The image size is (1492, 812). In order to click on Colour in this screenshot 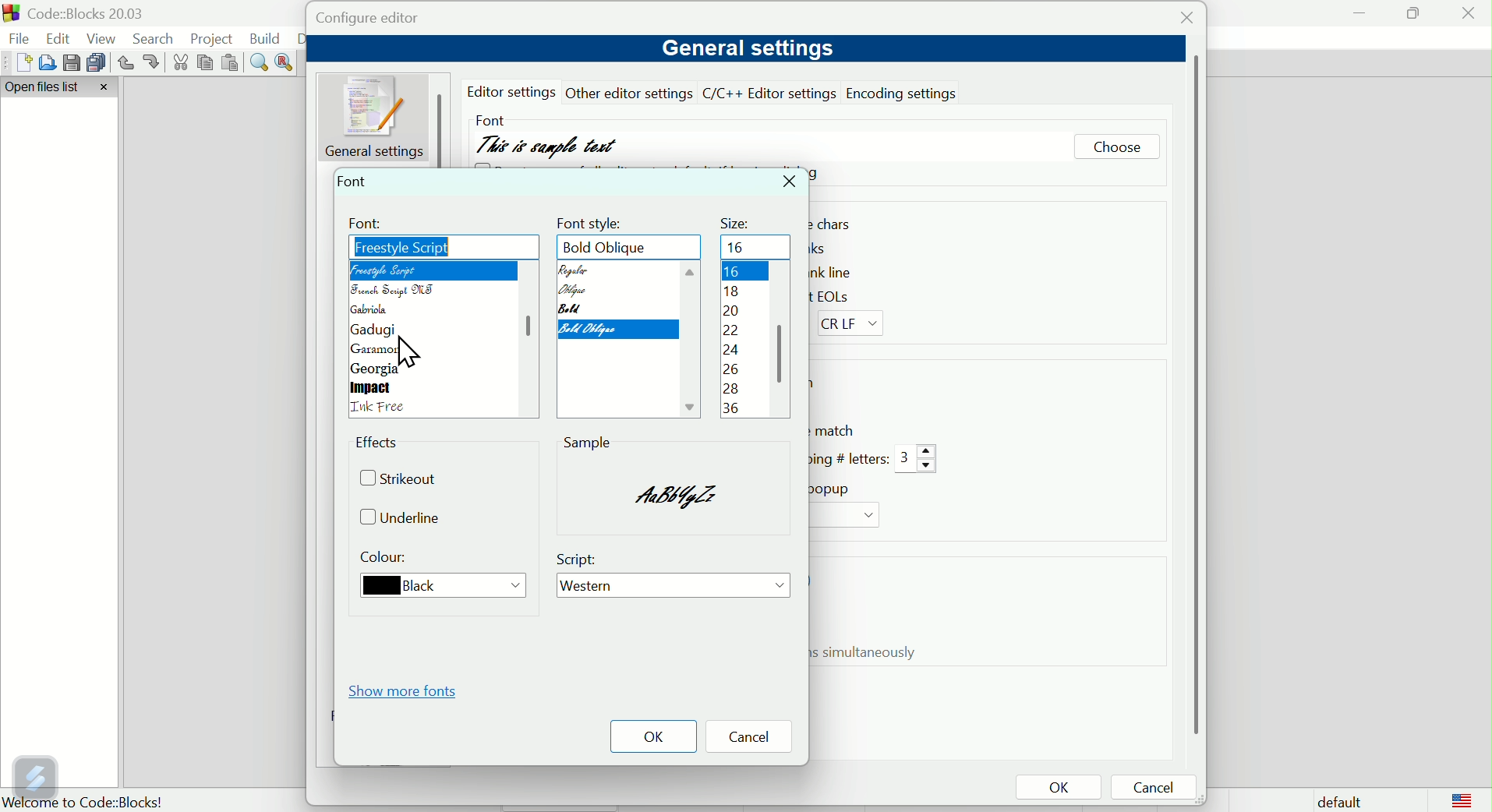, I will do `click(387, 560)`.